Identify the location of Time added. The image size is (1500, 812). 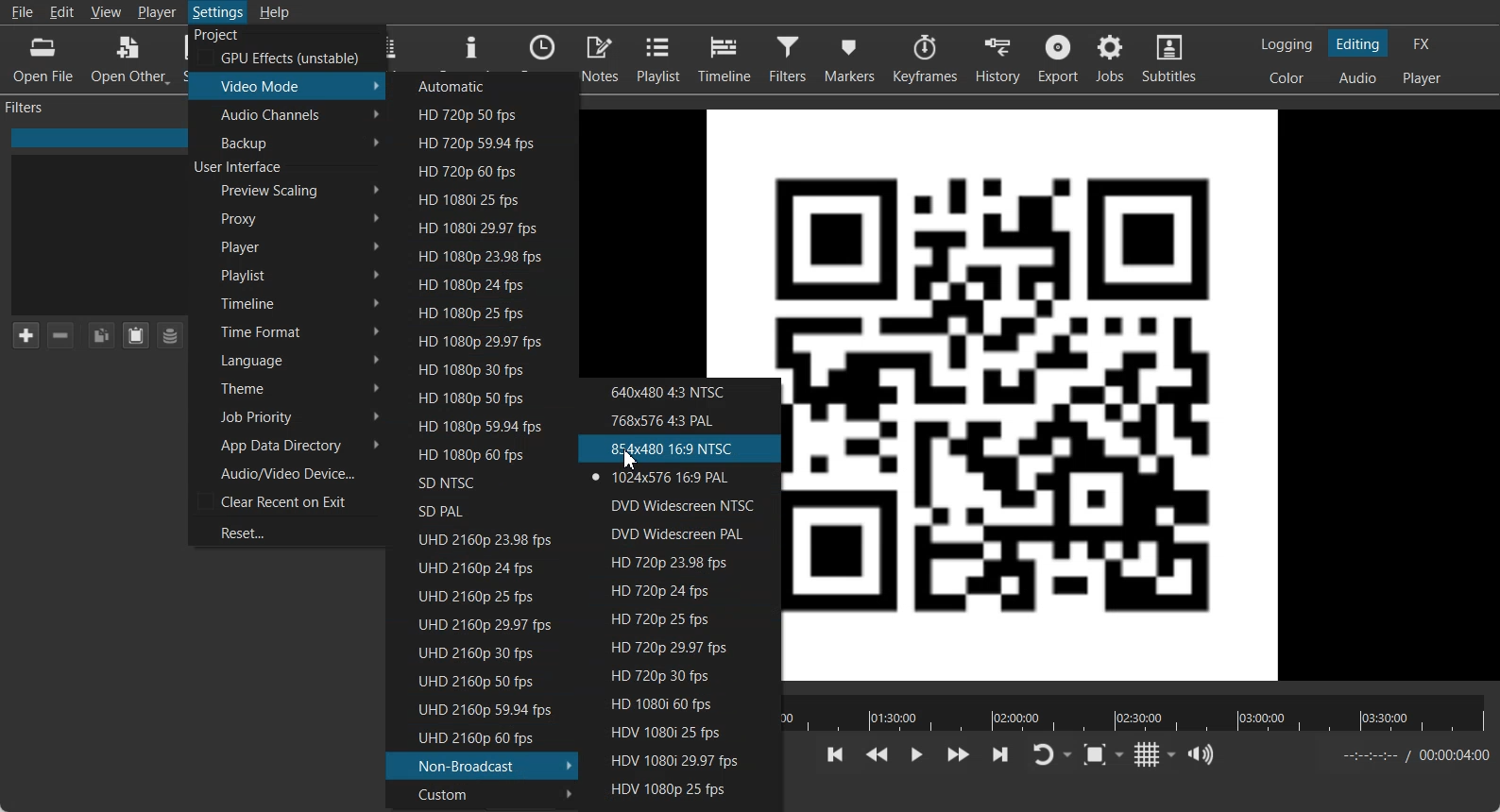
(1454, 754).